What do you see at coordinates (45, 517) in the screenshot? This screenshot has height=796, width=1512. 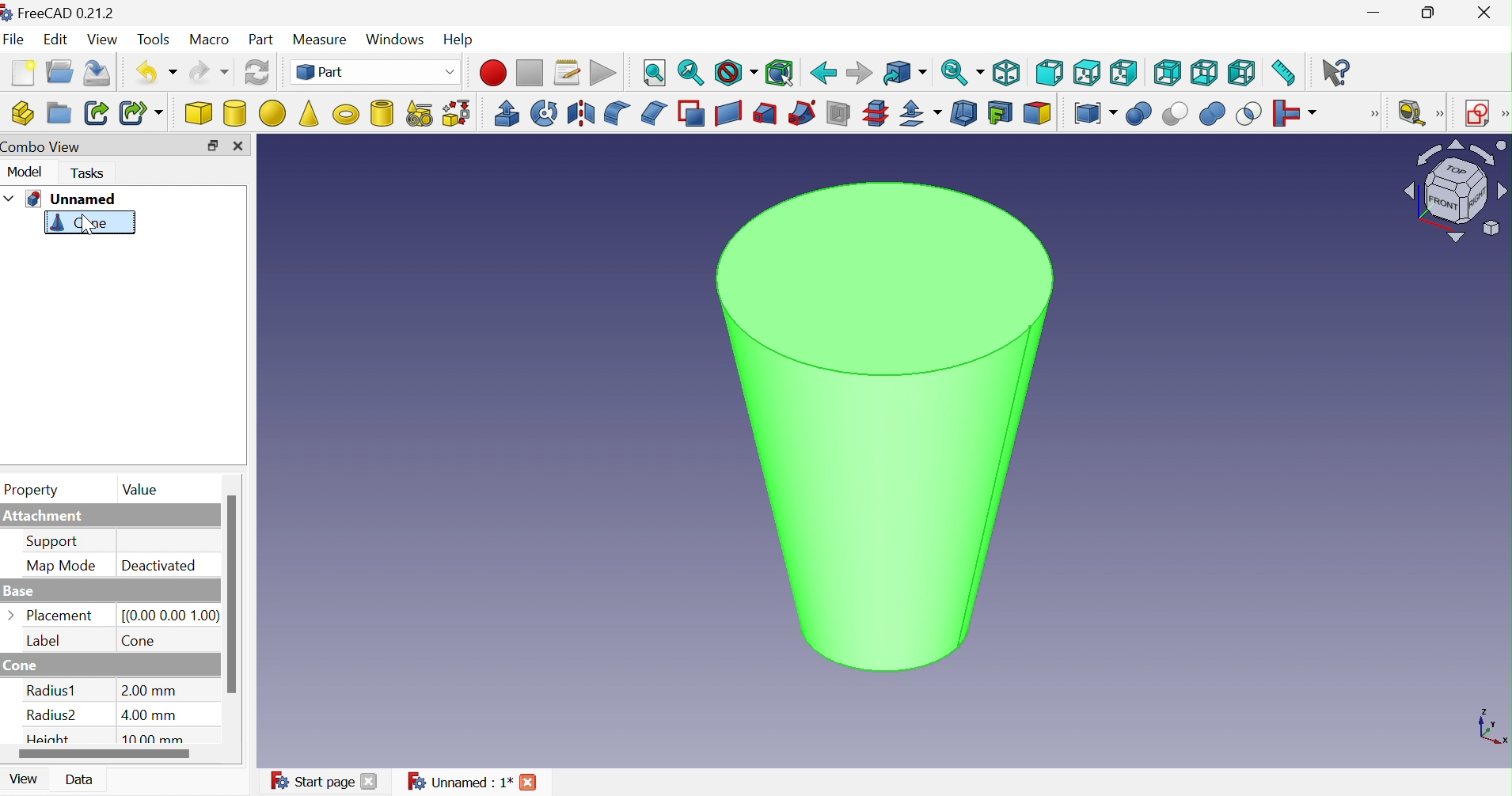 I see `Attachment` at bounding box center [45, 517].